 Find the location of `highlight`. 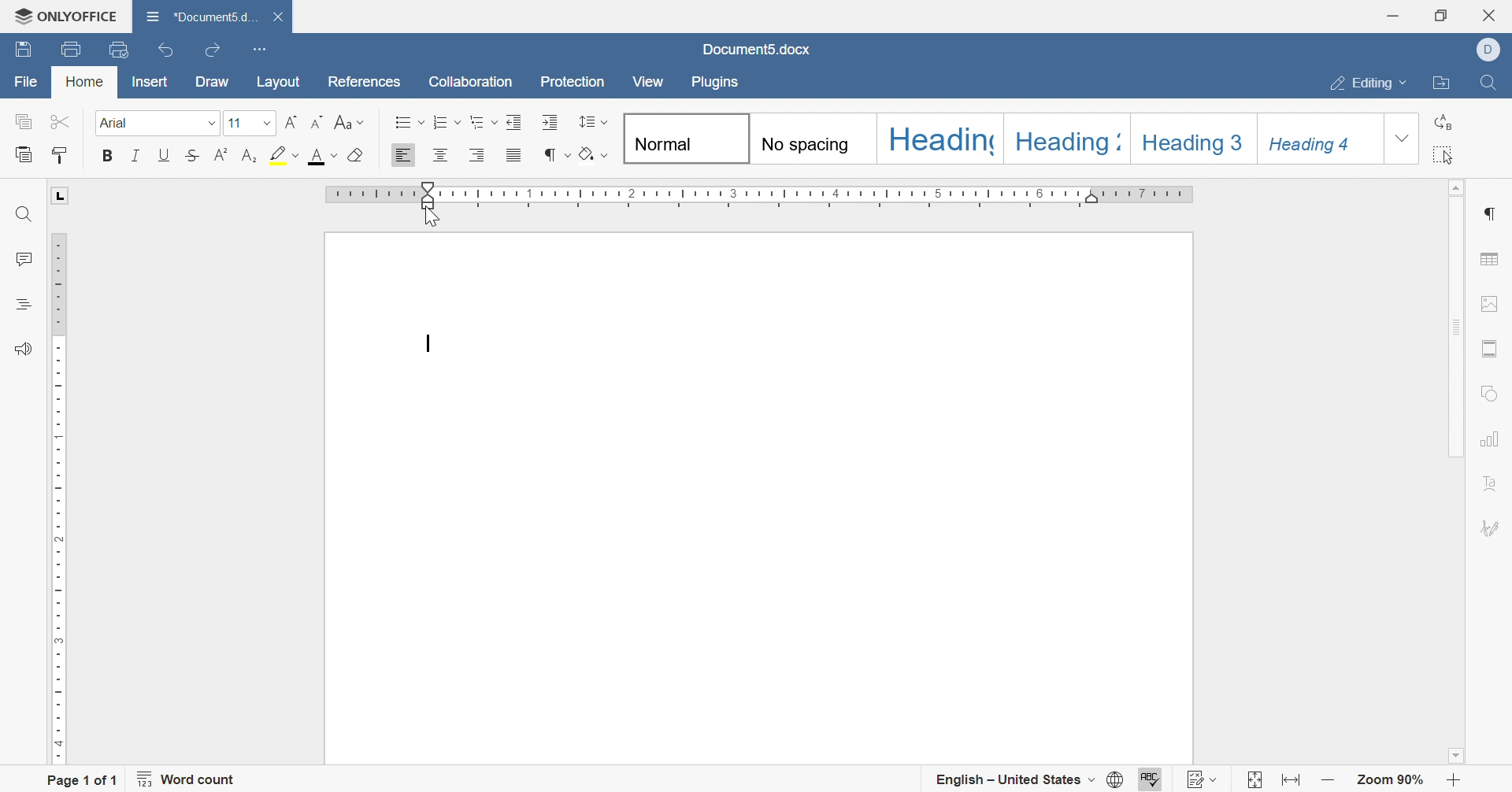

highlight is located at coordinates (284, 154).